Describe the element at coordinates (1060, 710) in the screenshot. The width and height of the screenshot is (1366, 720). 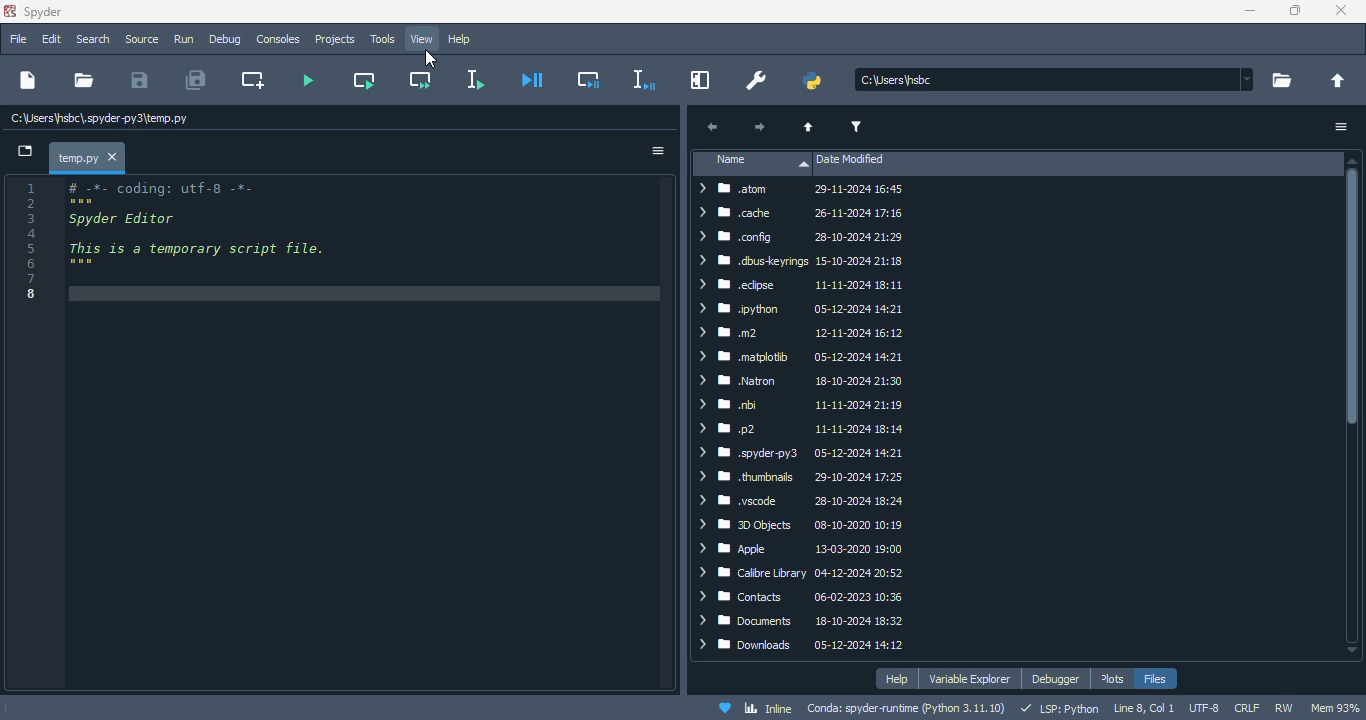
I see `LSP: Python` at that location.